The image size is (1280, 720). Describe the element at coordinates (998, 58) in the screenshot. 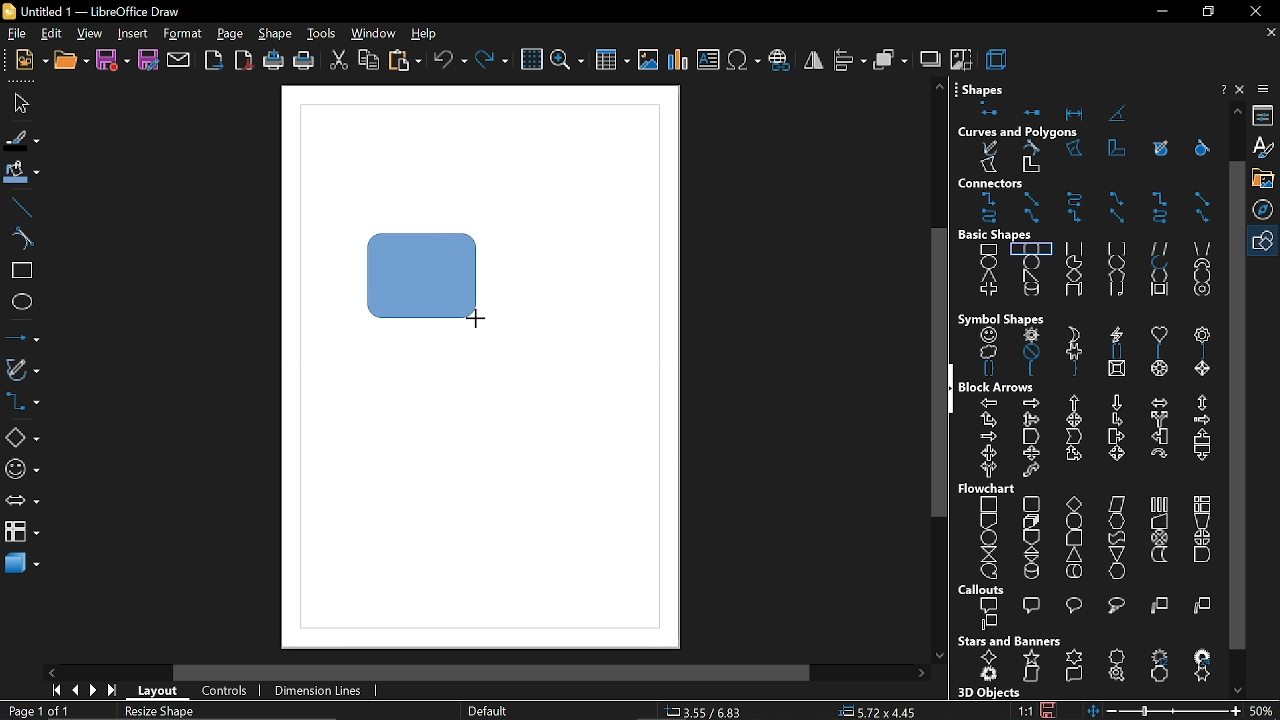

I see `3d effect` at that location.